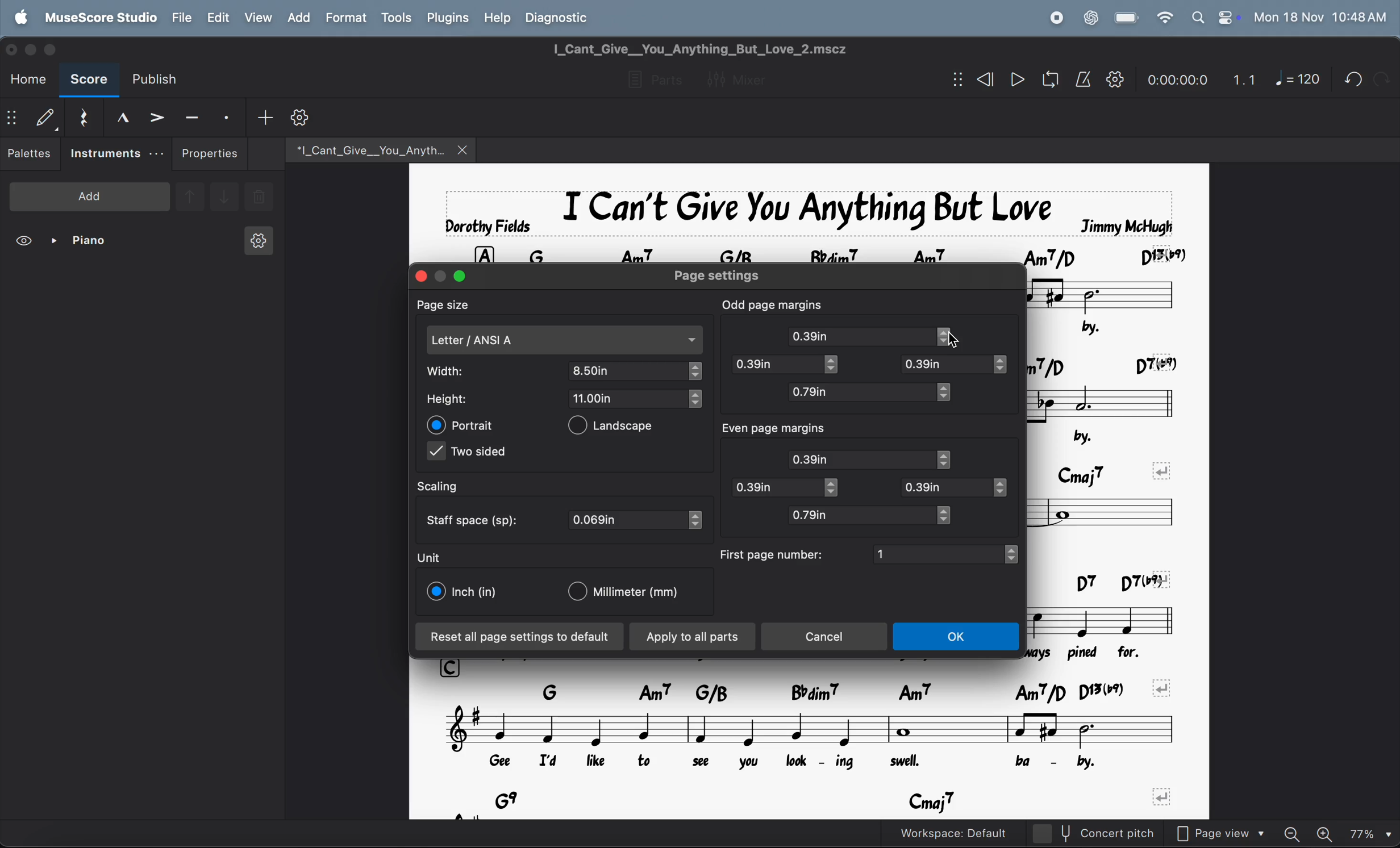 The height and width of the screenshot is (848, 1400). What do you see at coordinates (952, 337) in the screenshot?
I see `toggle` at bounding box center [952, 337].